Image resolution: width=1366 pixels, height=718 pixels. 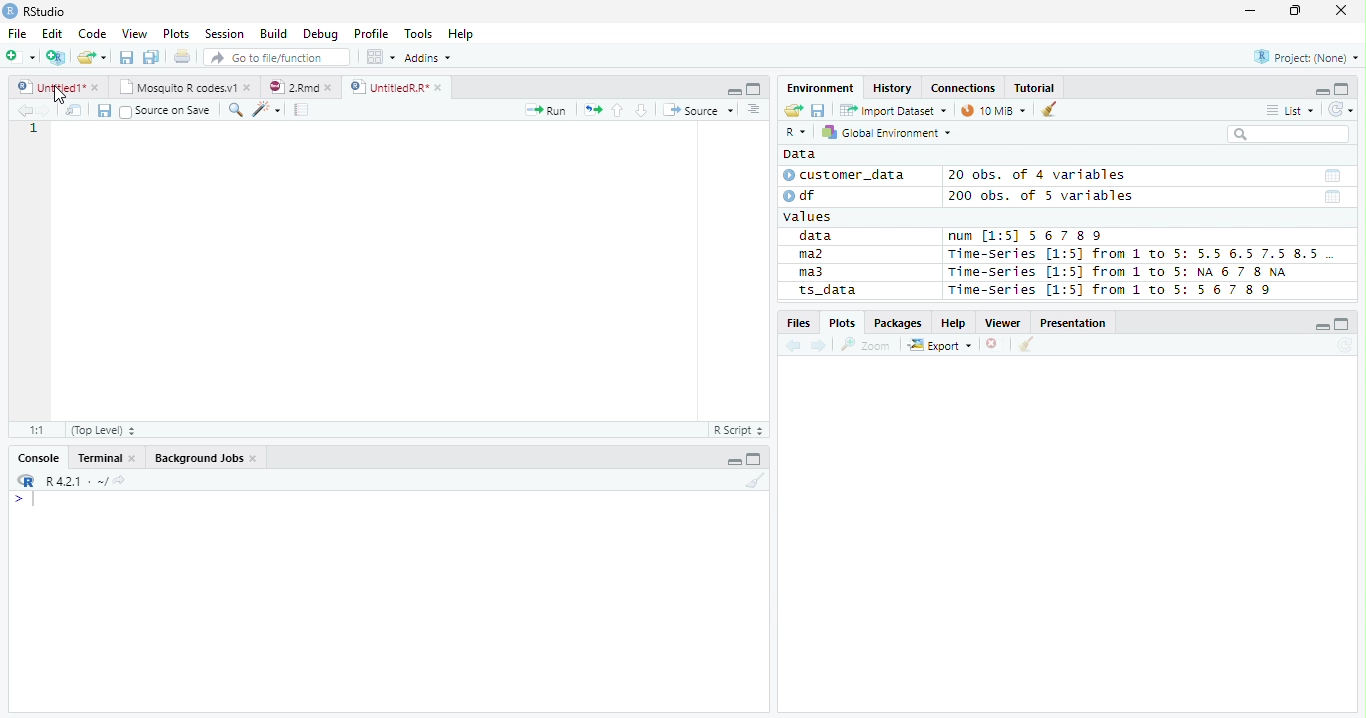 I want to click on Minimize, so click(x=1249, y=13).